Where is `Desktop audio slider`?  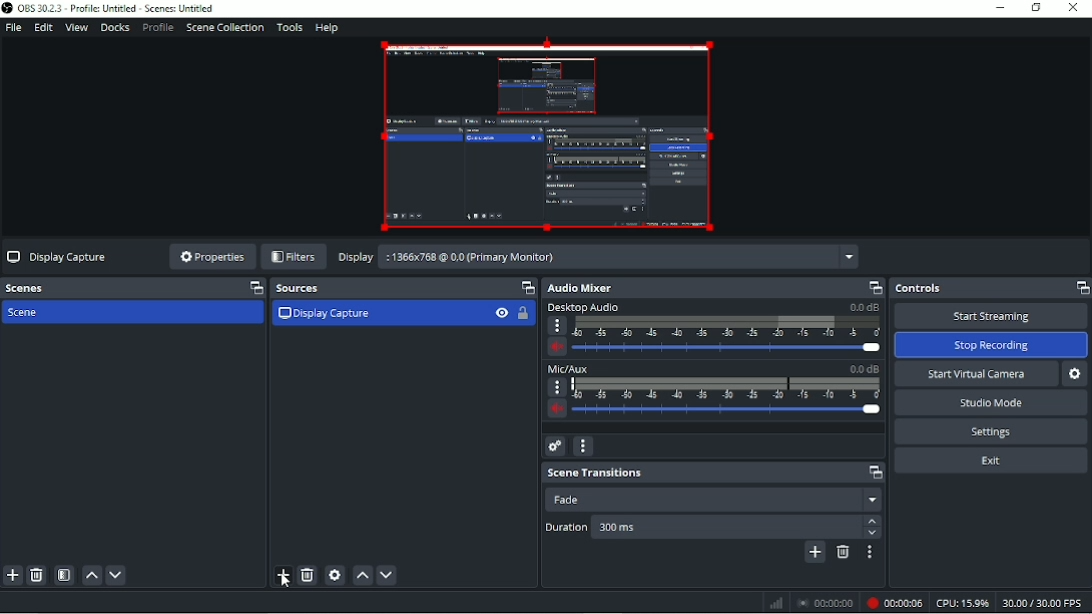 Desktop audio slider is located at coordinates (713, 330).